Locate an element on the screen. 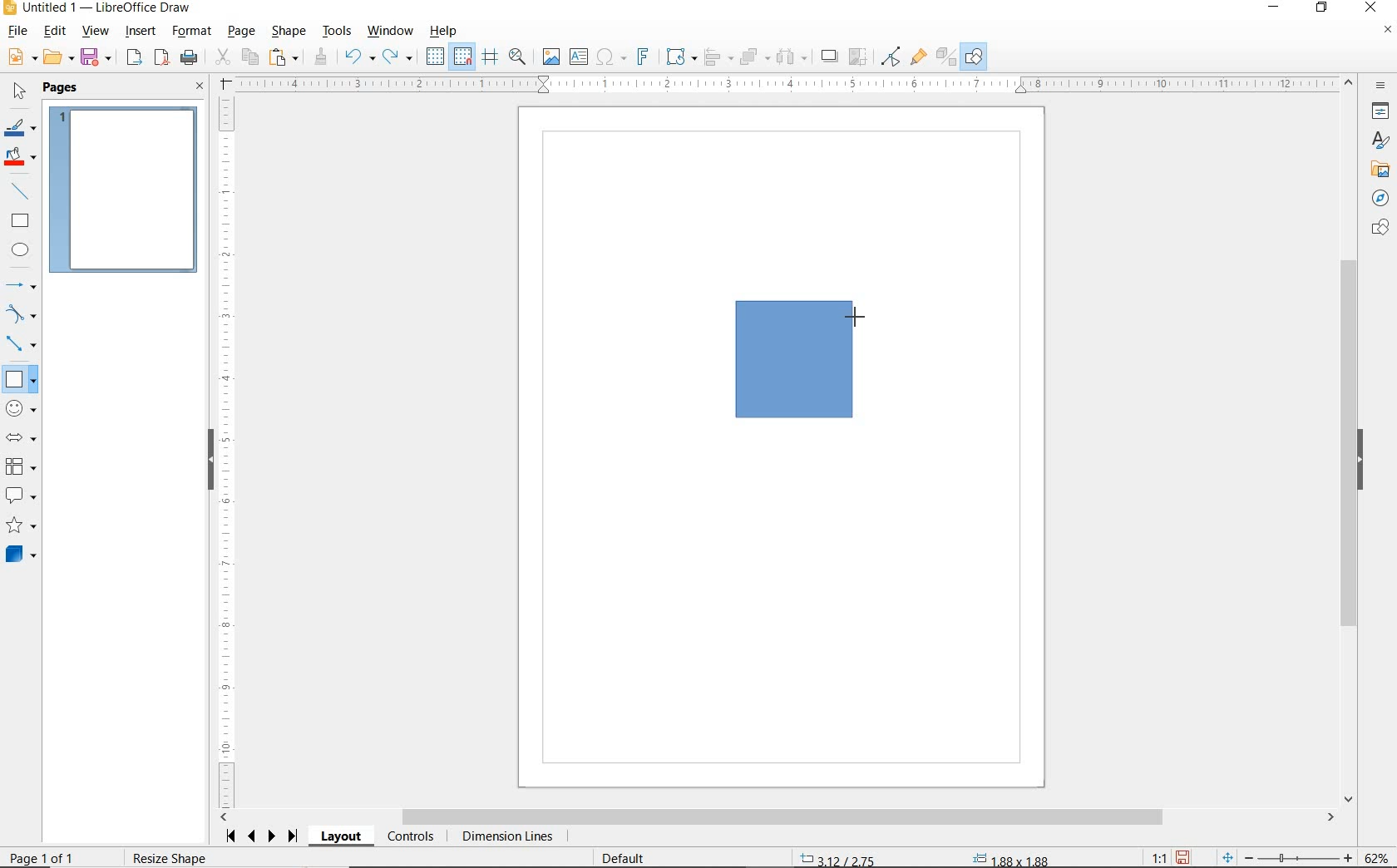 This screenshot has height=868, width=1397. SAVE is located at coordinates (97, 58).